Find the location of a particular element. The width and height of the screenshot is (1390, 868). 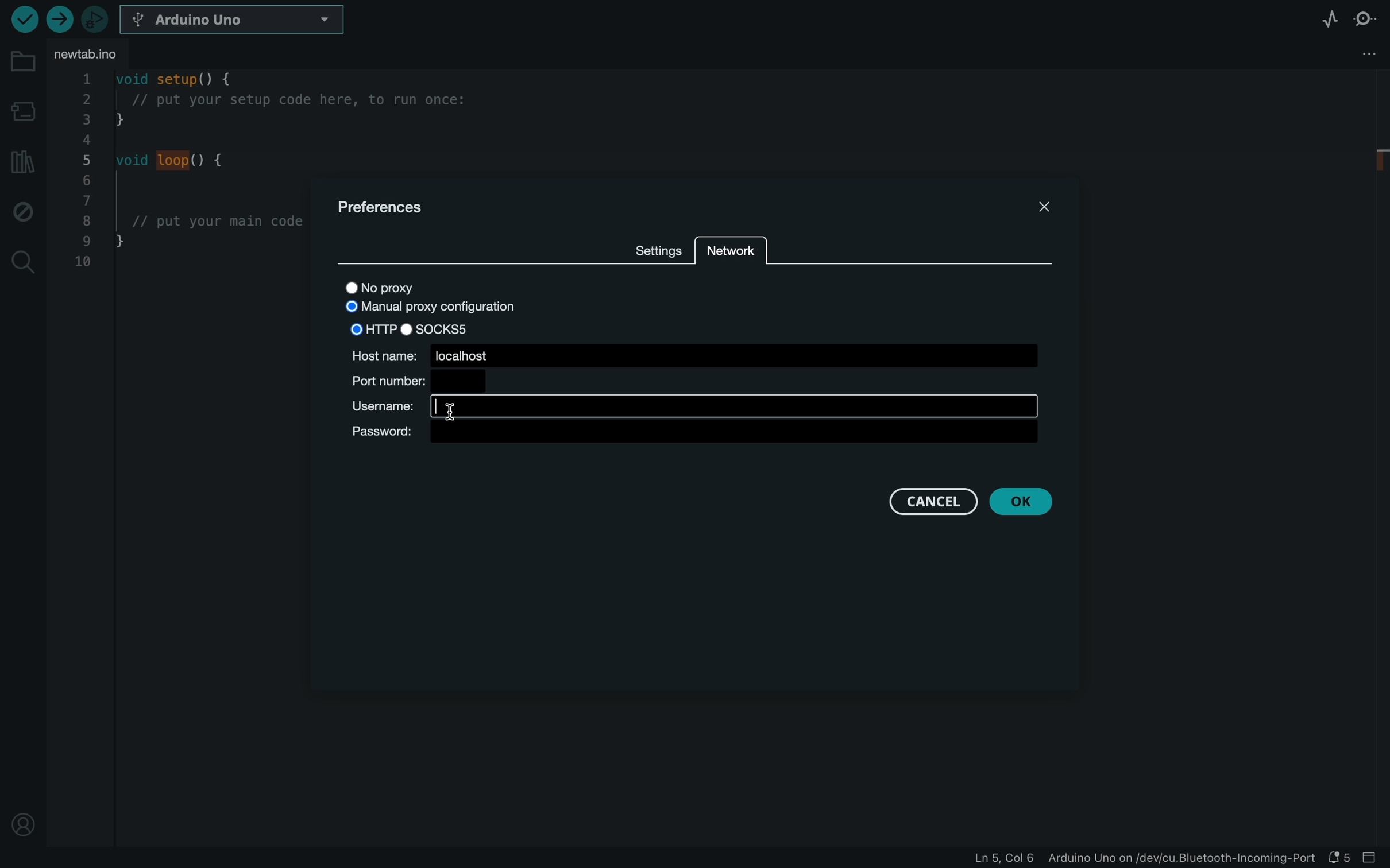

no proxy is located at coordinates (393, 289).